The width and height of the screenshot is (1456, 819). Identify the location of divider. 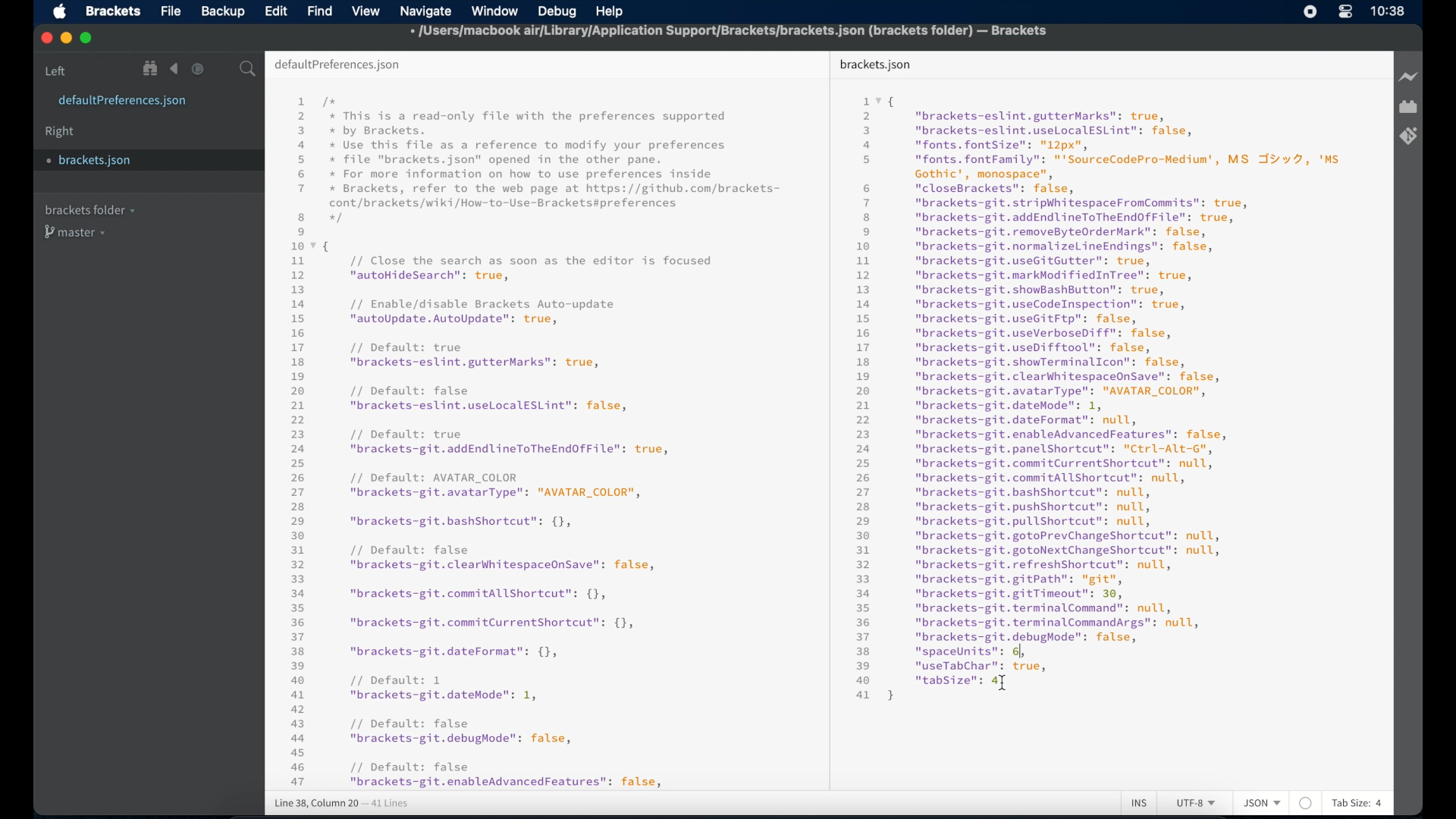
(826, 419).